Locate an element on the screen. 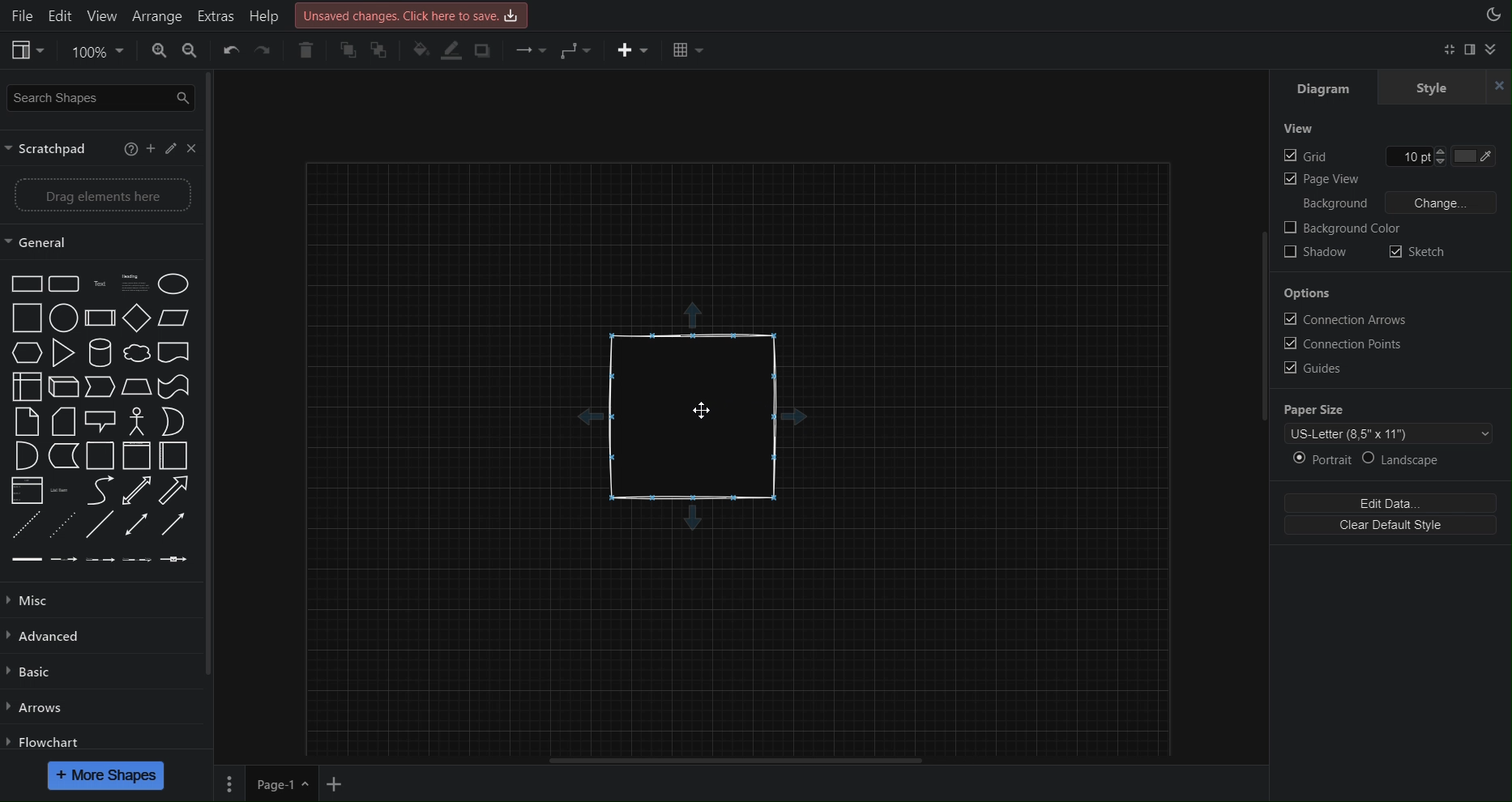 This screenshot has height=802, width=1512. View is located at coordinates (1300, 130).